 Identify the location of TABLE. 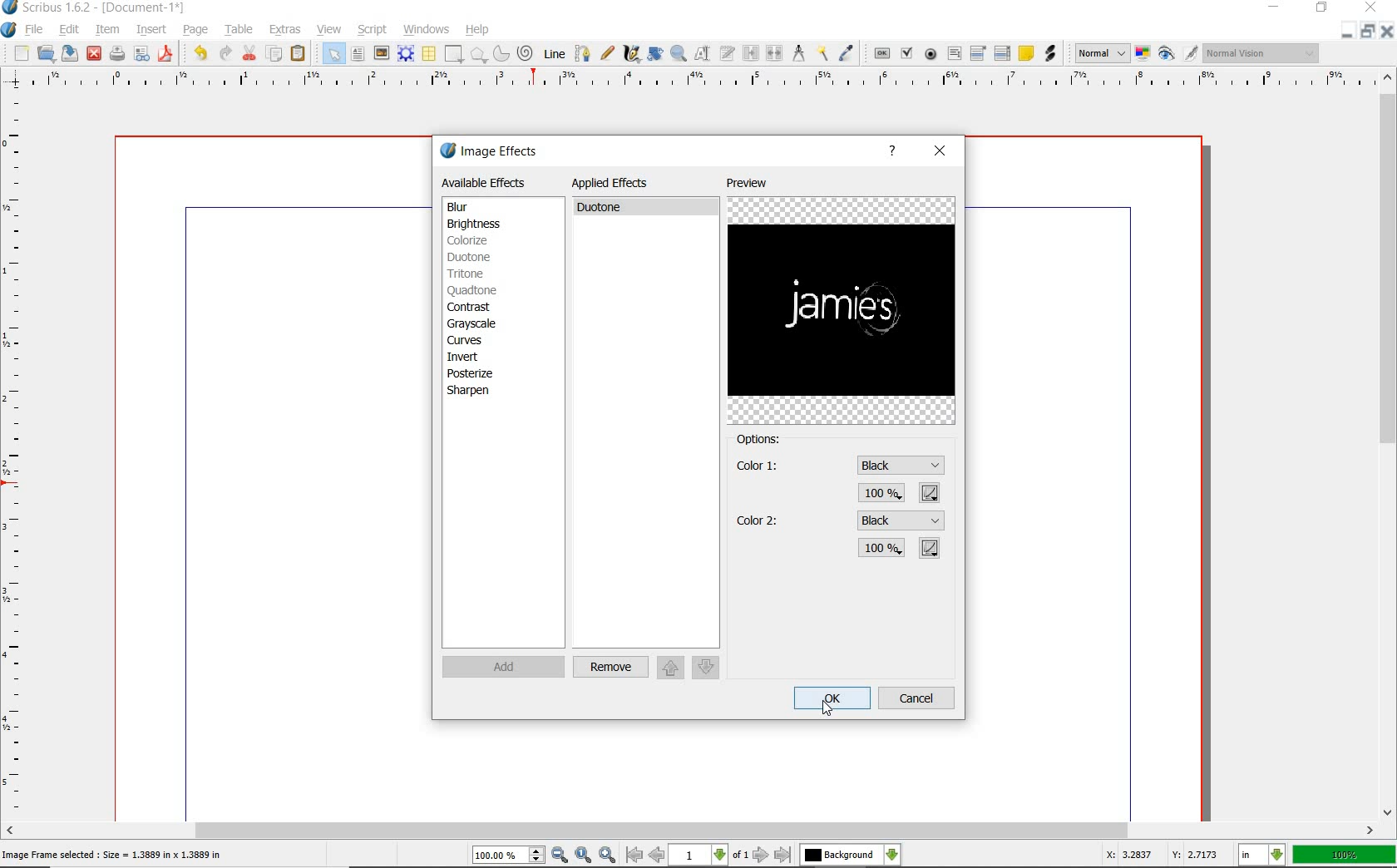
(428, 54).